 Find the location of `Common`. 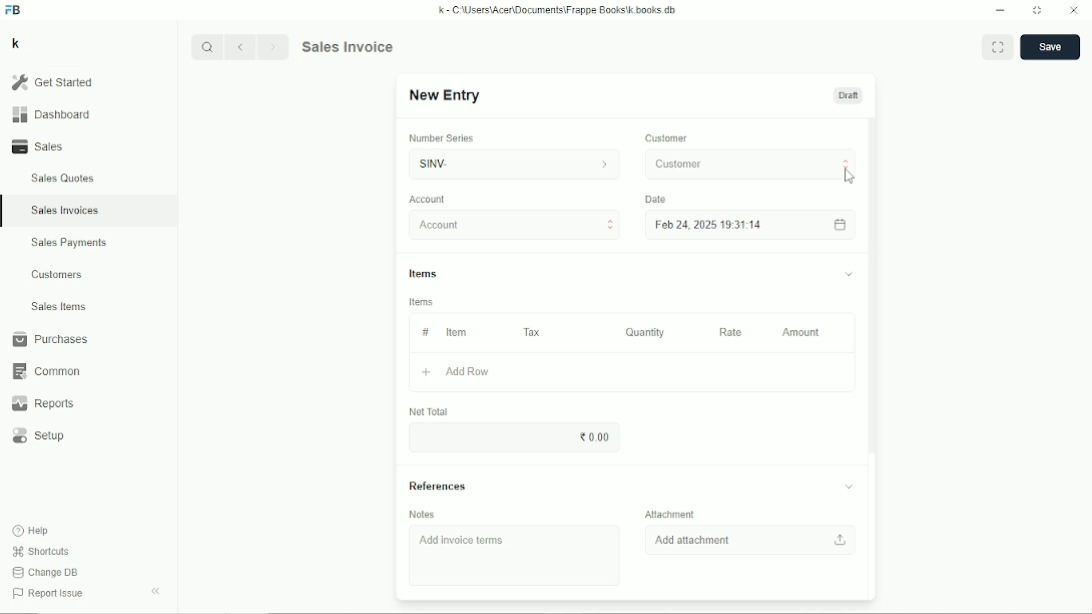

Common is located at coordinates (44, 371).